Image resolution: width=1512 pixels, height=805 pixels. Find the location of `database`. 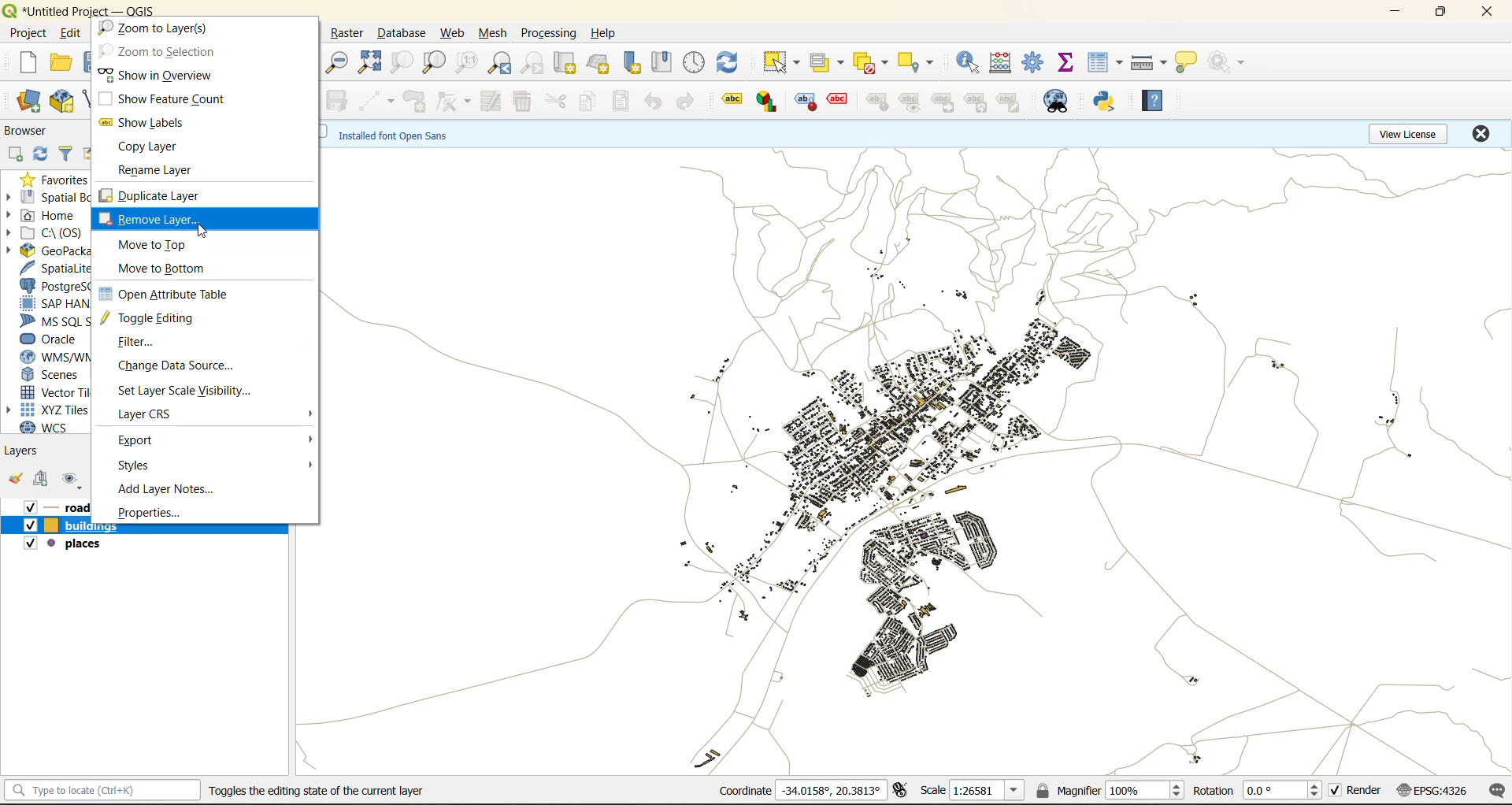

database is located at coordinates (400, 35).